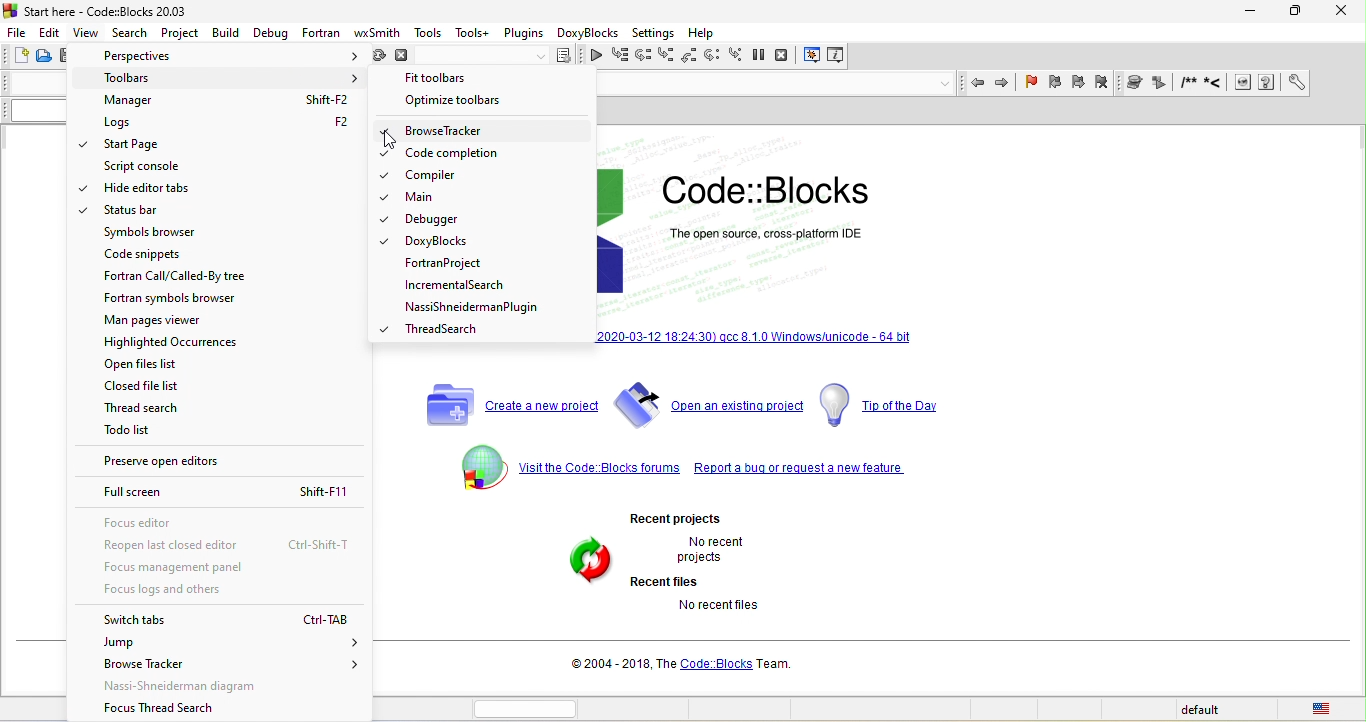 This screenshot has width=1366, height=722. What do you see at coordinates (1136, 81) in the screenshot?
I see `doxywizard` at bounding box center [1136, 81].